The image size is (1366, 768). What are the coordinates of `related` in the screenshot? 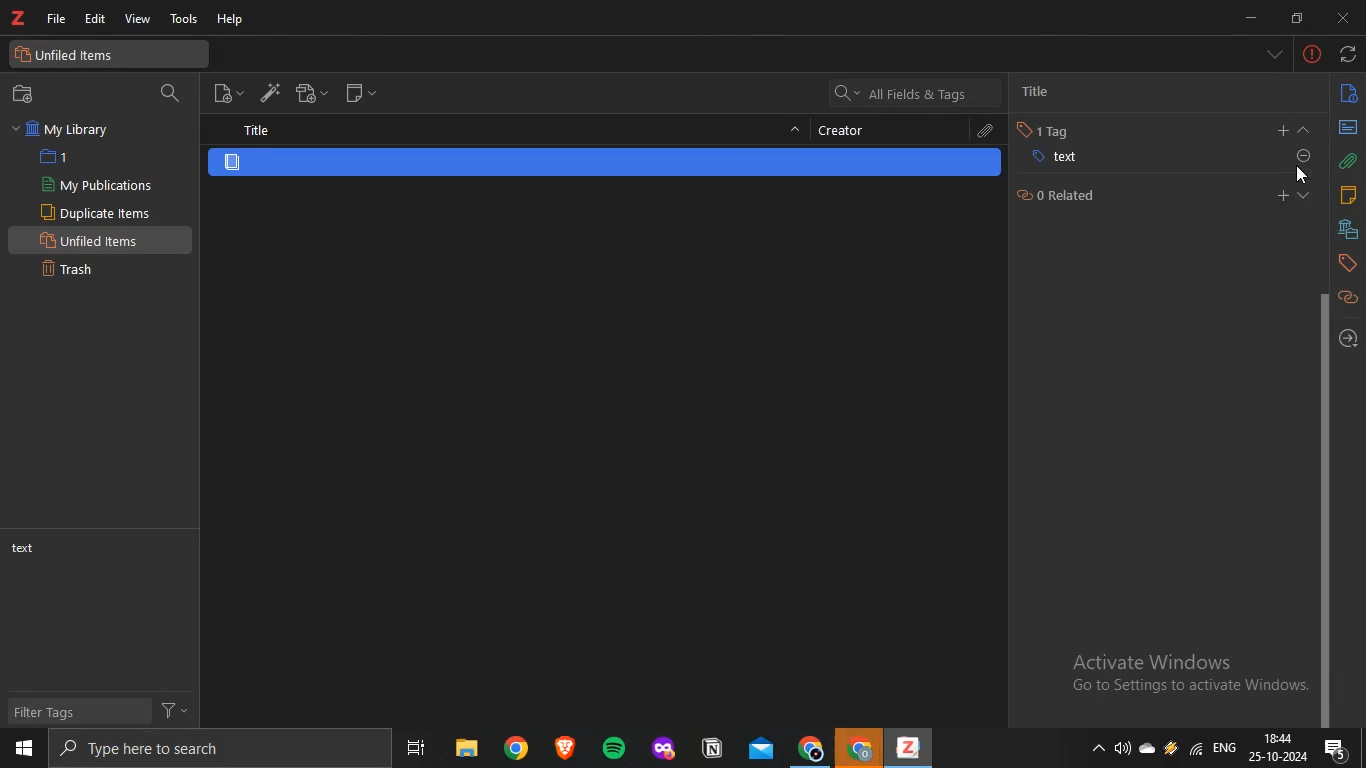 It's located at (1061, 193).